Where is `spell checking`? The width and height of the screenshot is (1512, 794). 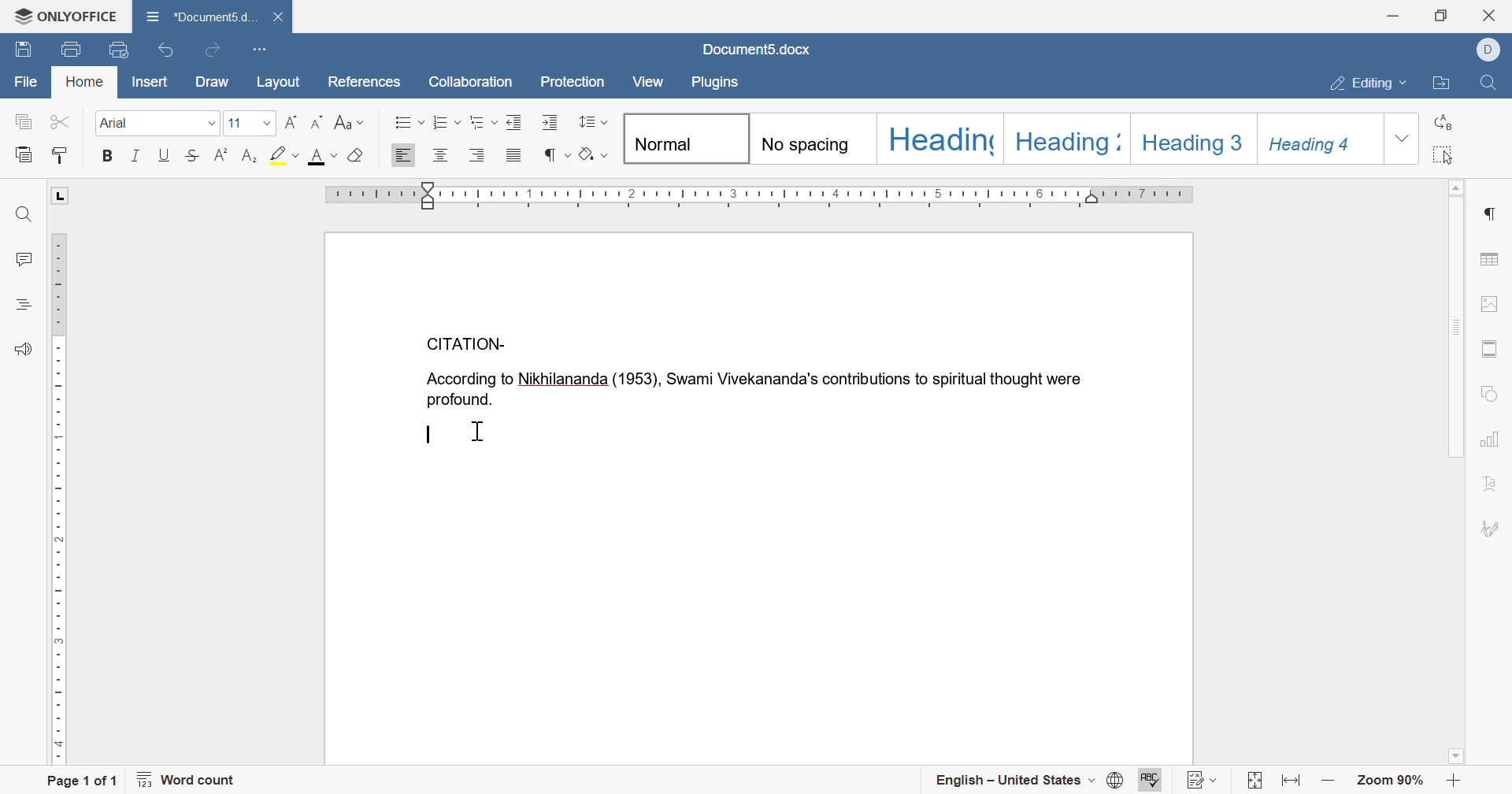 spell checking is located at coordinates (1153, 781).